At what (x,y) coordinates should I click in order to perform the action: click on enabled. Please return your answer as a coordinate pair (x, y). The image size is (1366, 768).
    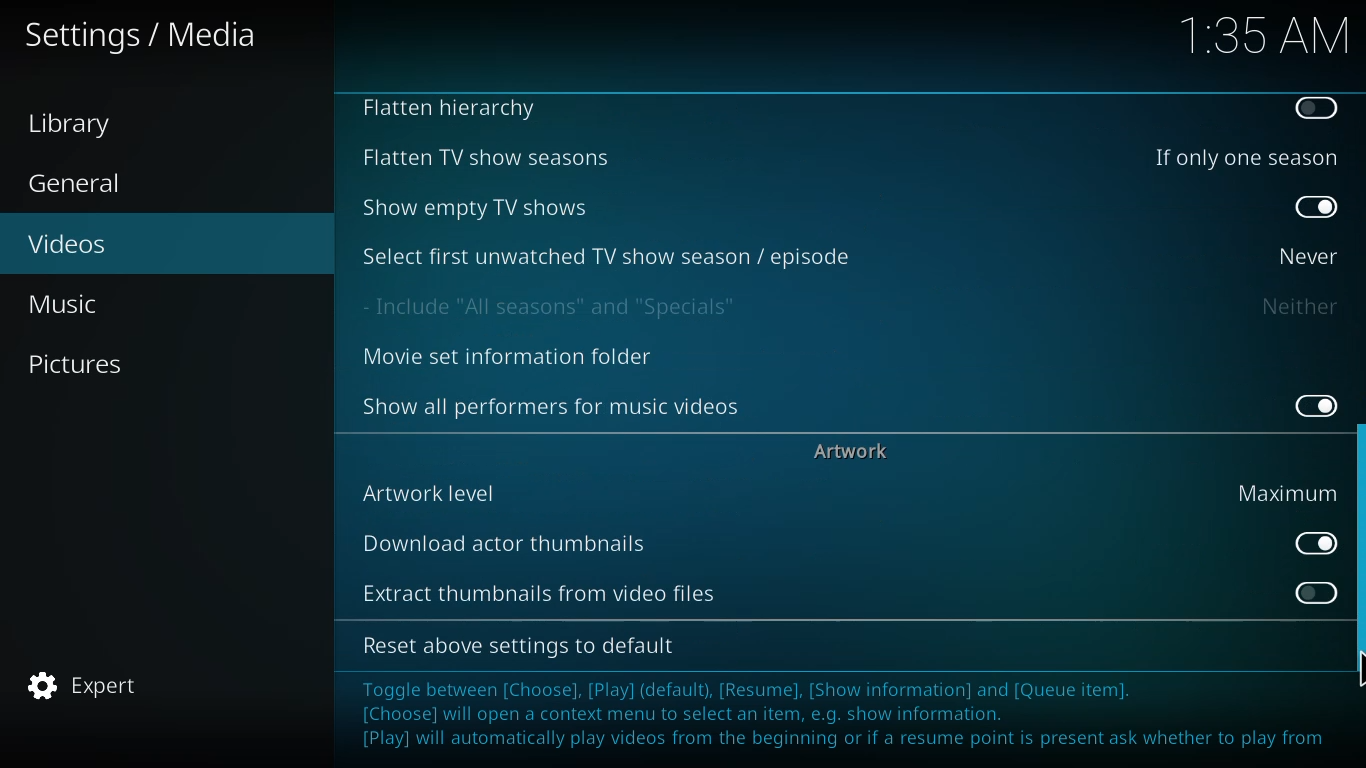
    Looking at the image, I should click on (1317, 208).